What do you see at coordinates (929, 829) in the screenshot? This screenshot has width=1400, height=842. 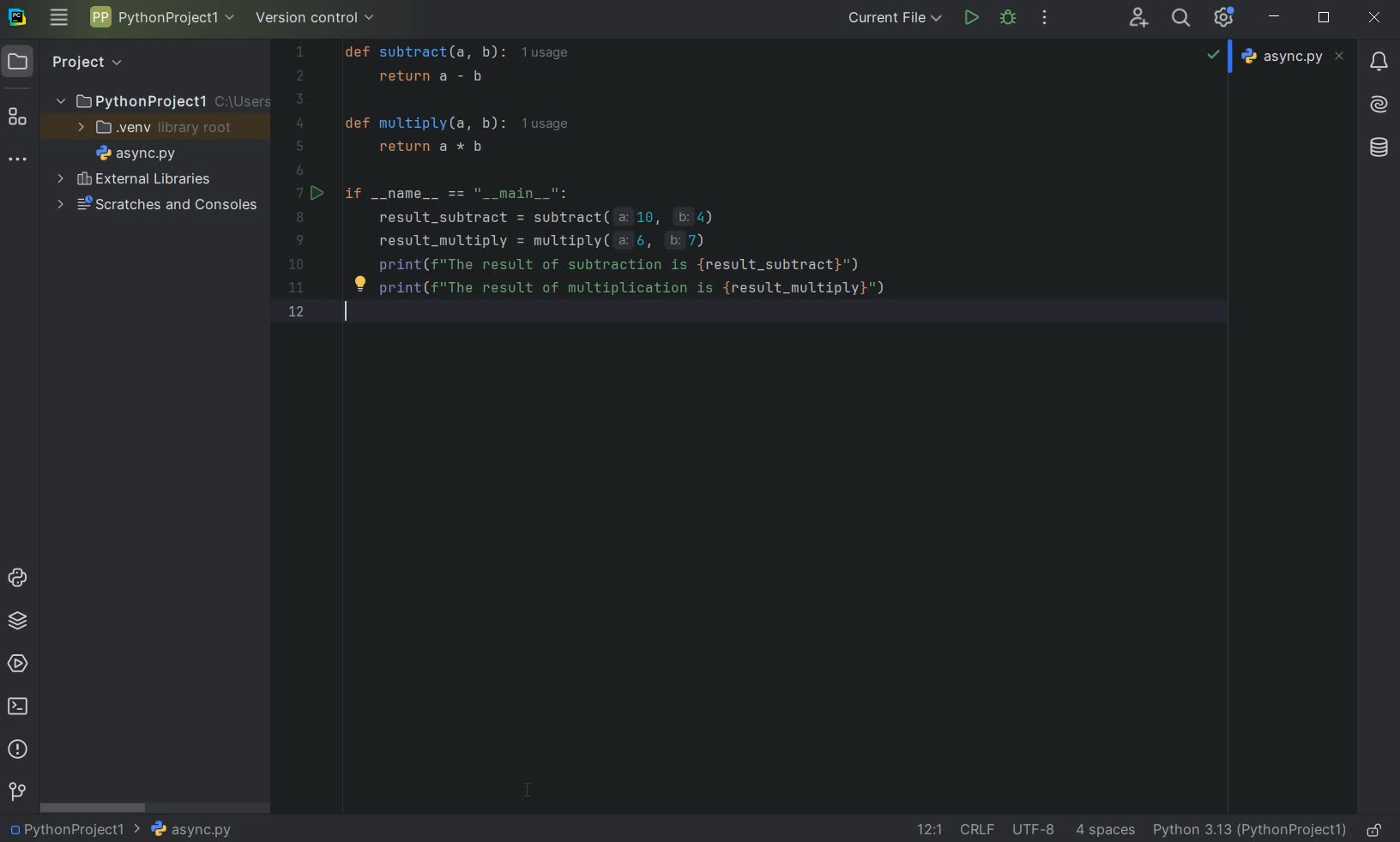 I see `go to line` at bounding box center [929, 829].